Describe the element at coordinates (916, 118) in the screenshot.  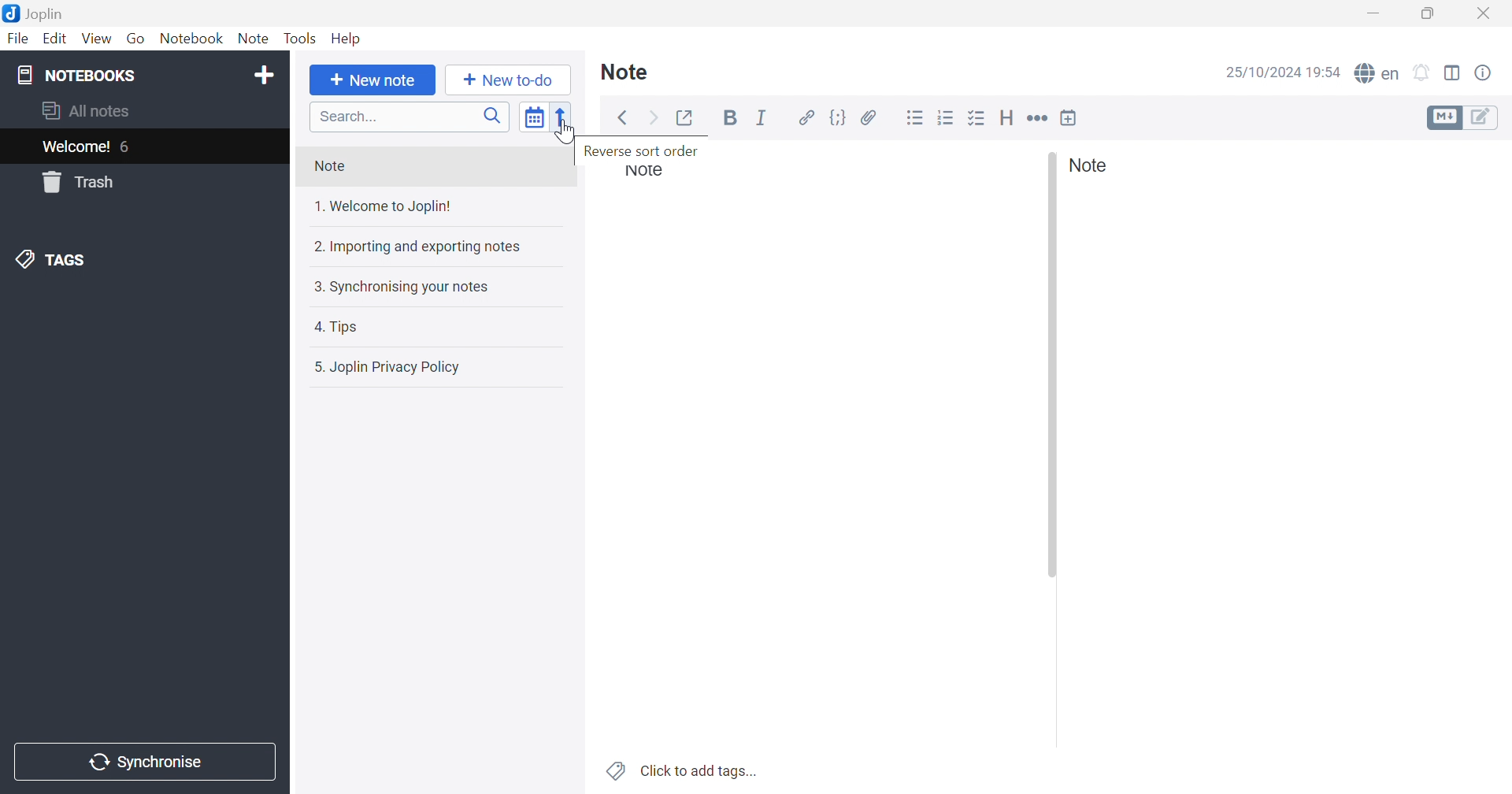
I see `Bulleted List` at that location.